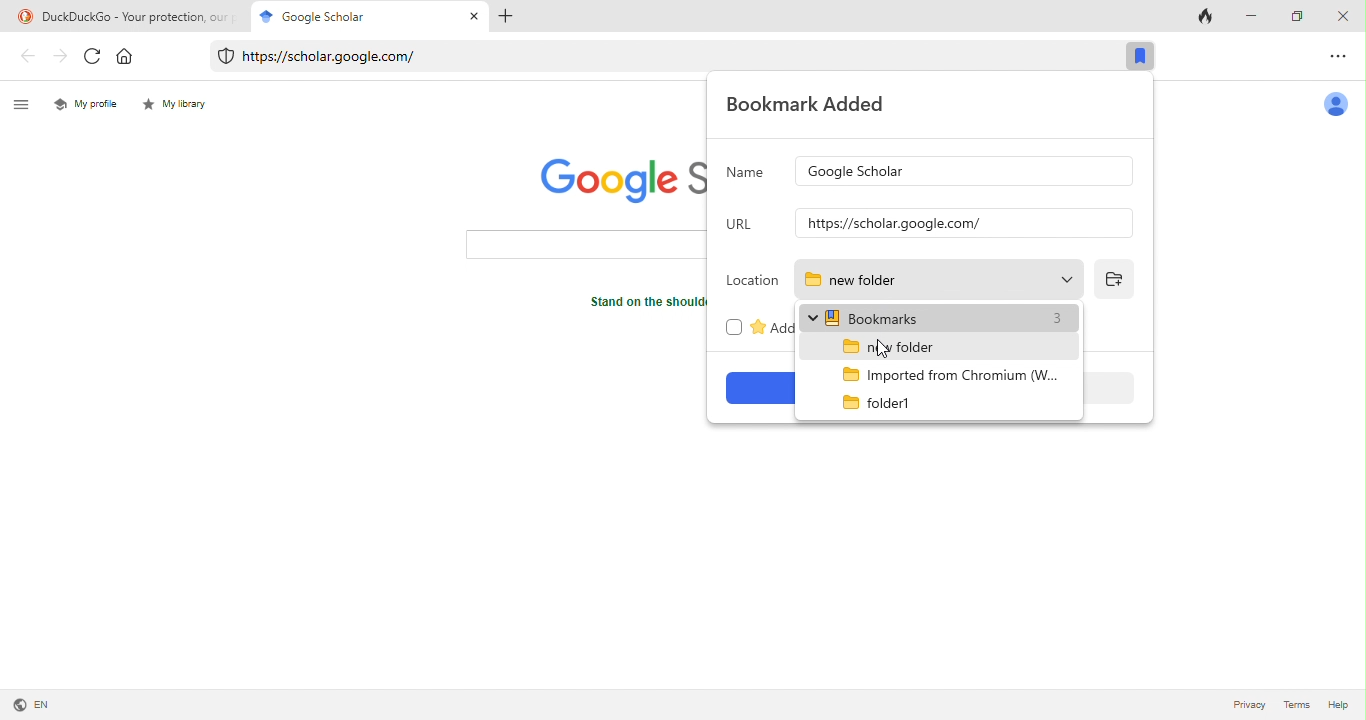 The height and width of the screenshot is (720, 1366). Describe the element at coordinates (1346, 15) in the screenshot. I see `close` at that location.